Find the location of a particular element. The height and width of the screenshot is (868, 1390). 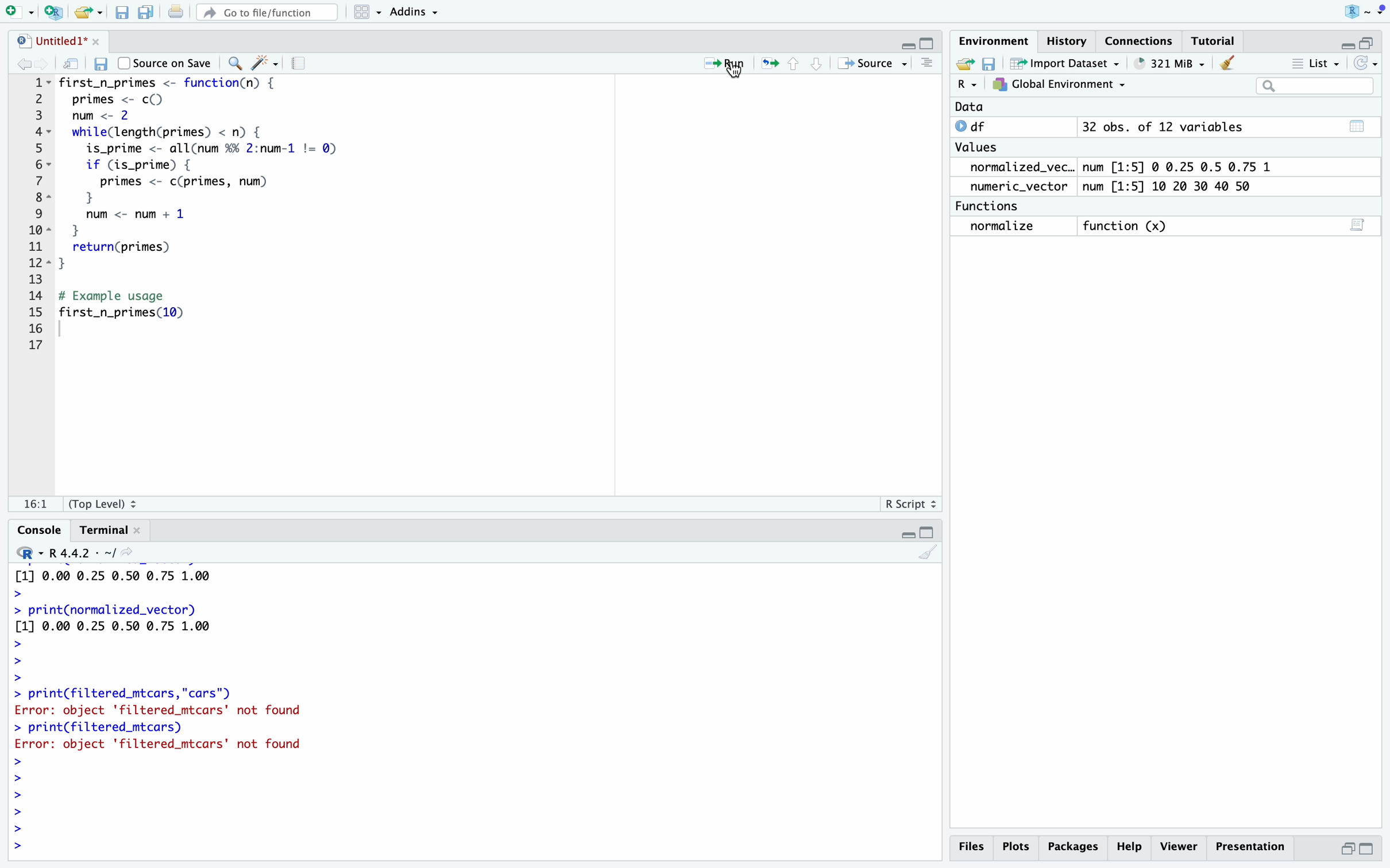

find/replace is located at coordinates (231, 63).